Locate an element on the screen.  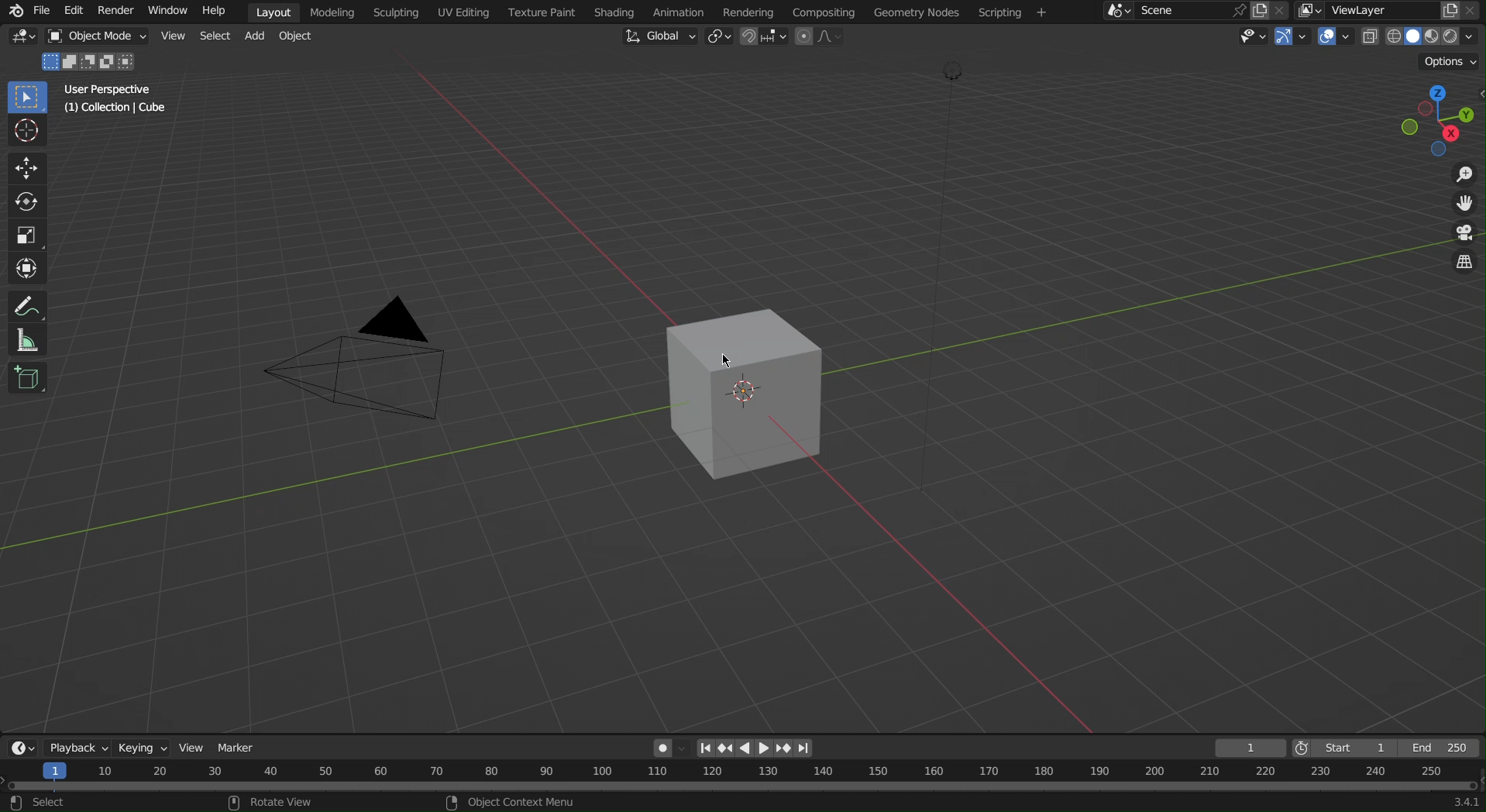
Window is located at coordinates (167, 12).